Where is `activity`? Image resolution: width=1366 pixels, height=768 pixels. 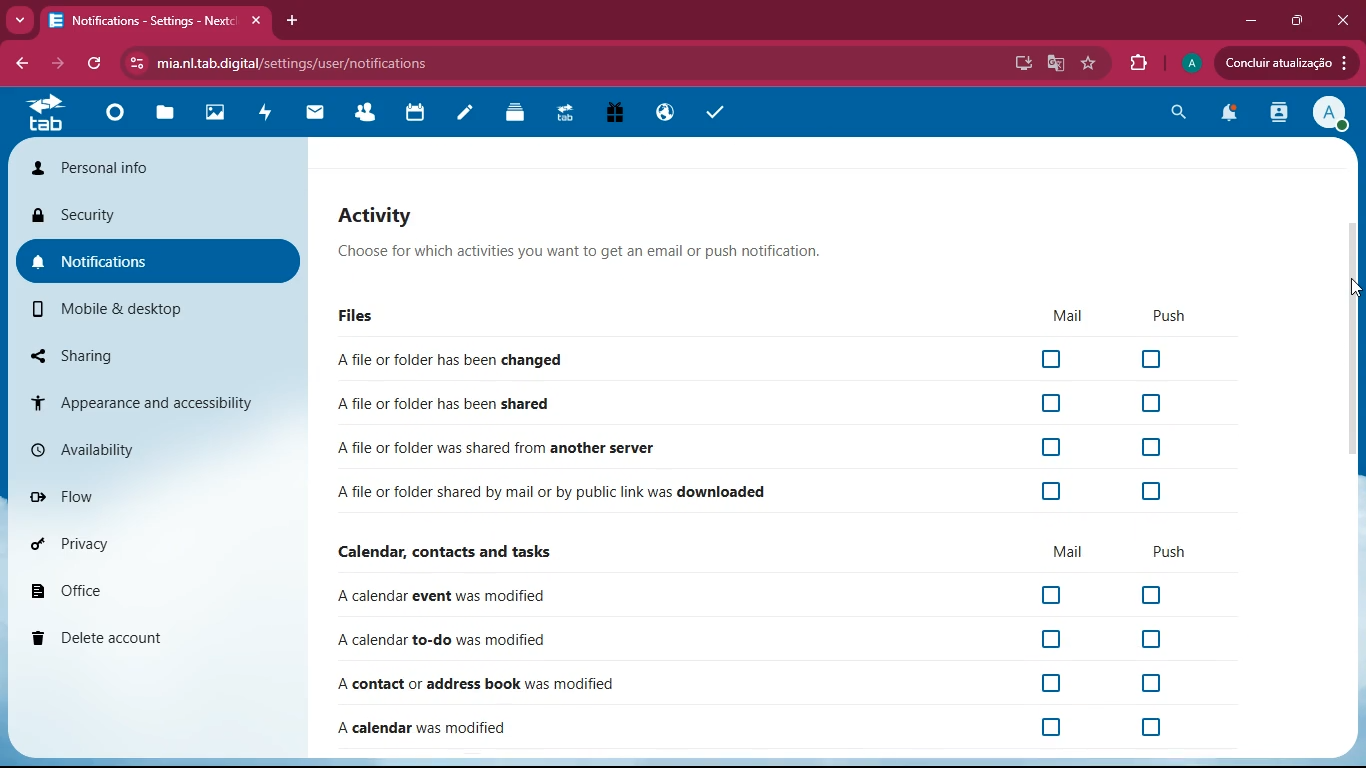 activity is located at coordinates (266, 118).